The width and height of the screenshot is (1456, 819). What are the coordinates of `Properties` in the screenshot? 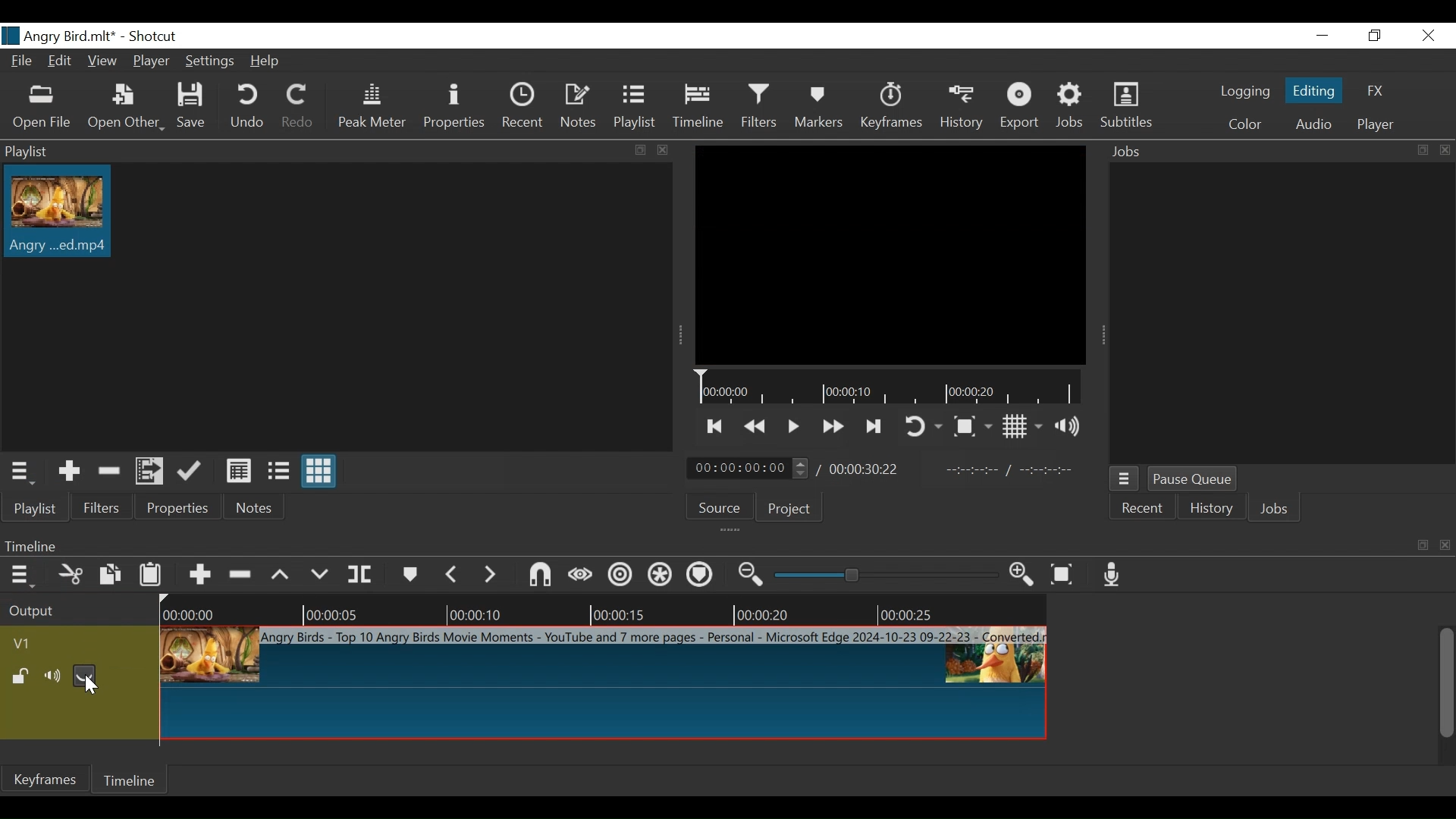 It's located at (456, 106).